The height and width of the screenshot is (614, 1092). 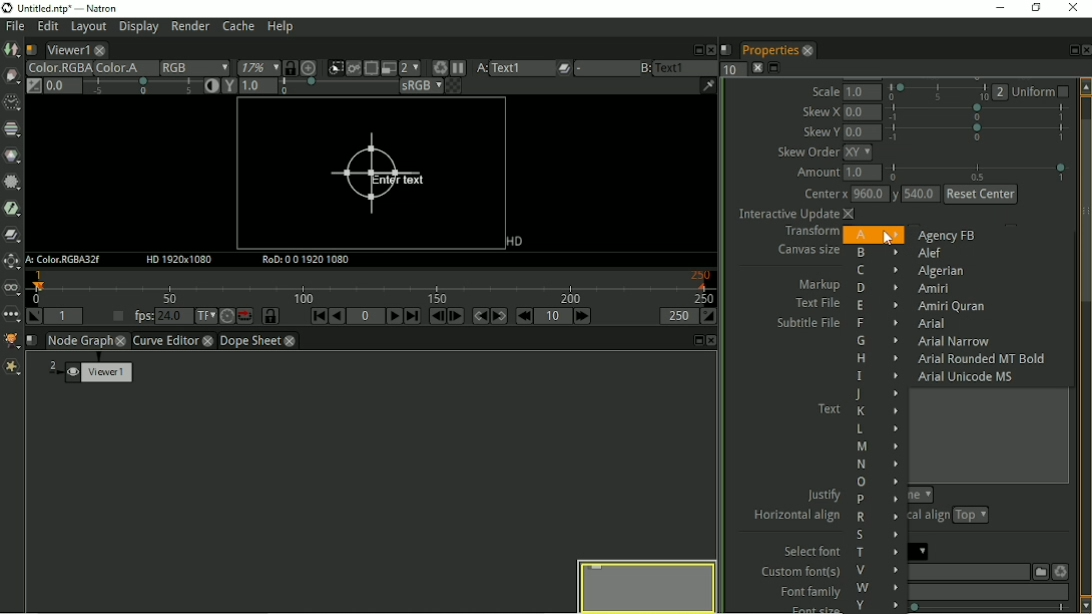 I want to click on Switch between "Neutral" 1.0 gain f-stop and the previous setting , so click(x=33, y=86).